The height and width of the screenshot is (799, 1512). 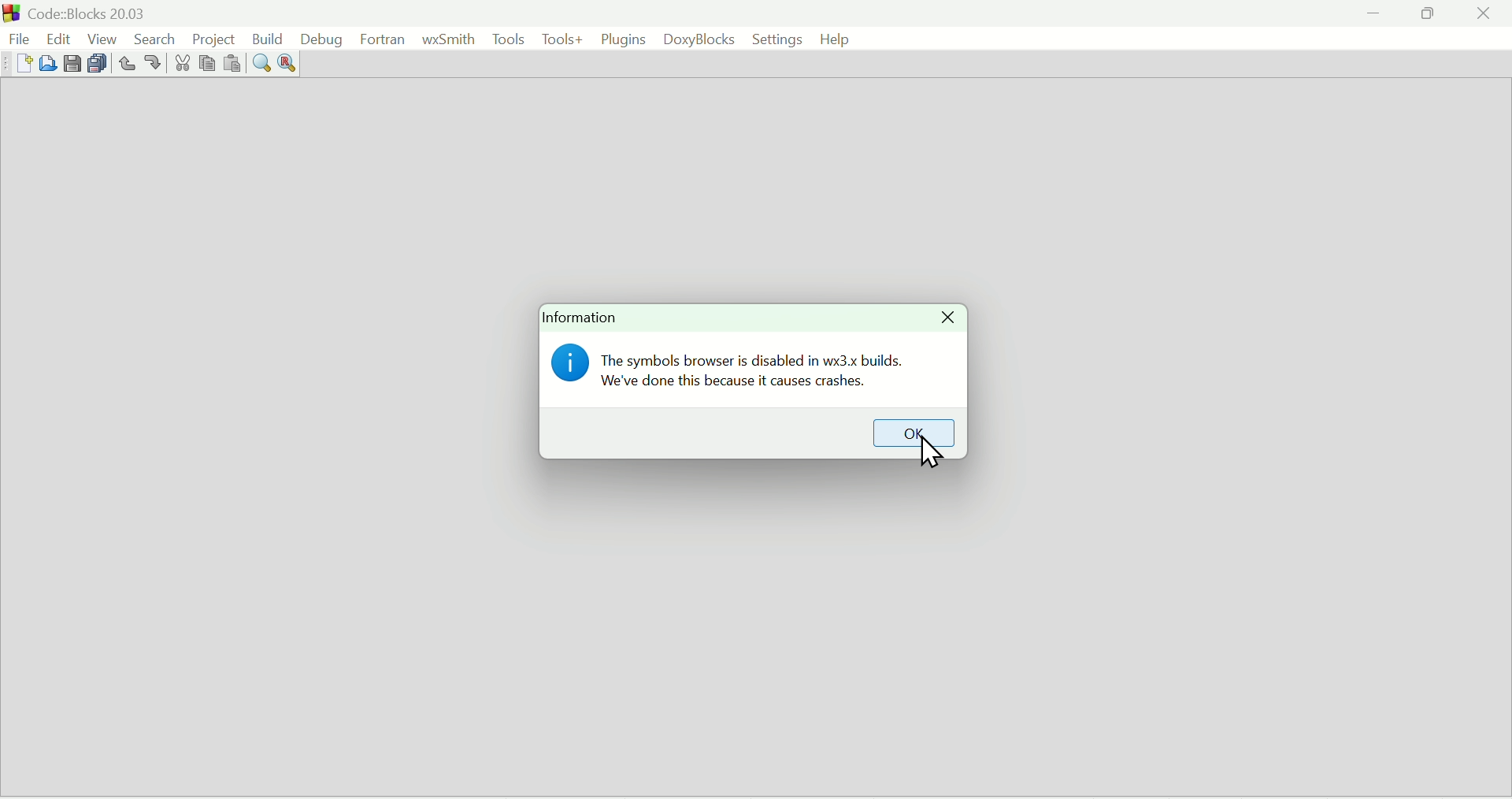 What do you see at coordinates (1483, 13) in the screenshot?
I see `Close` at bounding box center [1483, 13].